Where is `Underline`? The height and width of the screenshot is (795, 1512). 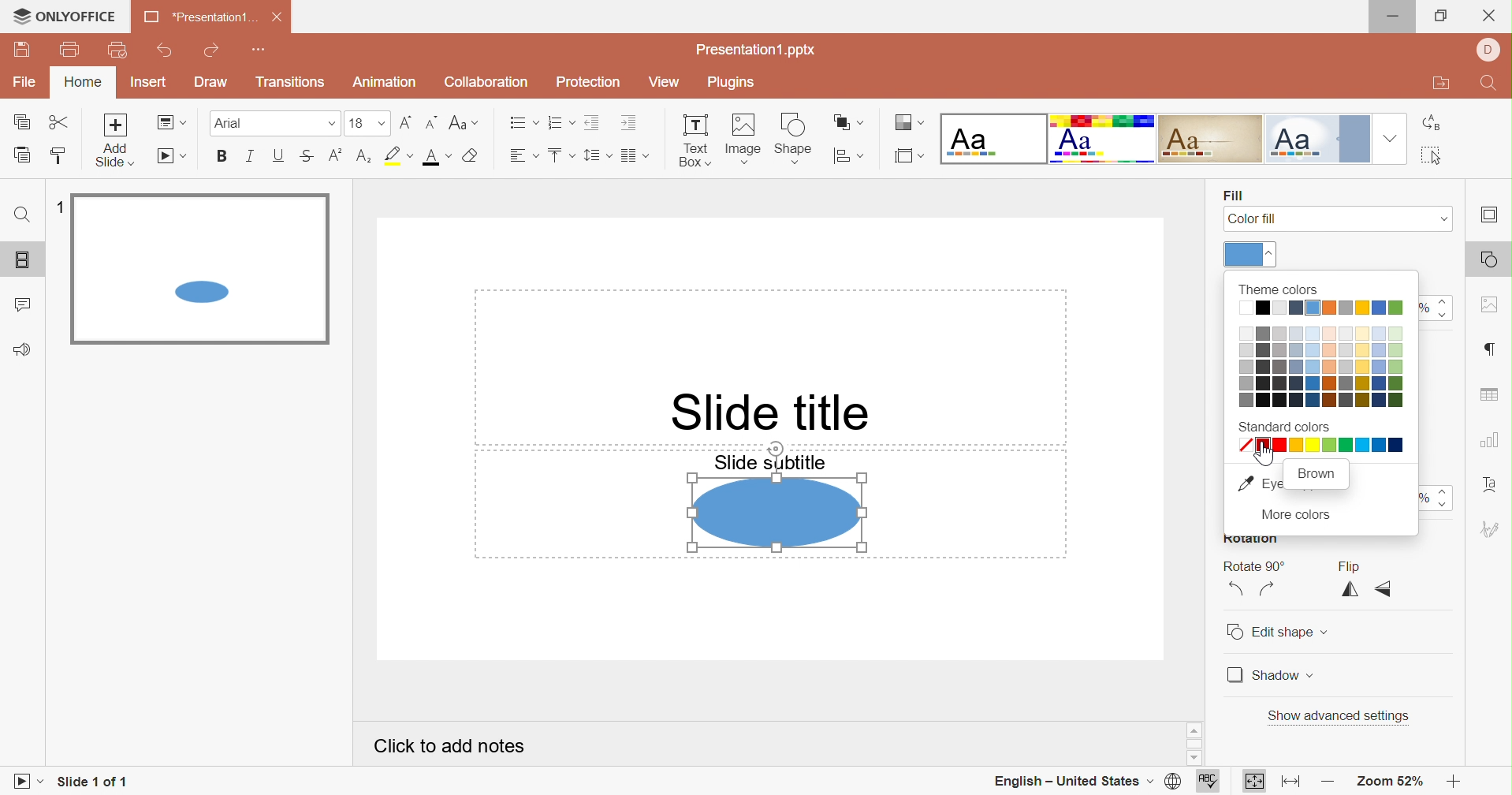 Underline is located at coordinates (277, 155).